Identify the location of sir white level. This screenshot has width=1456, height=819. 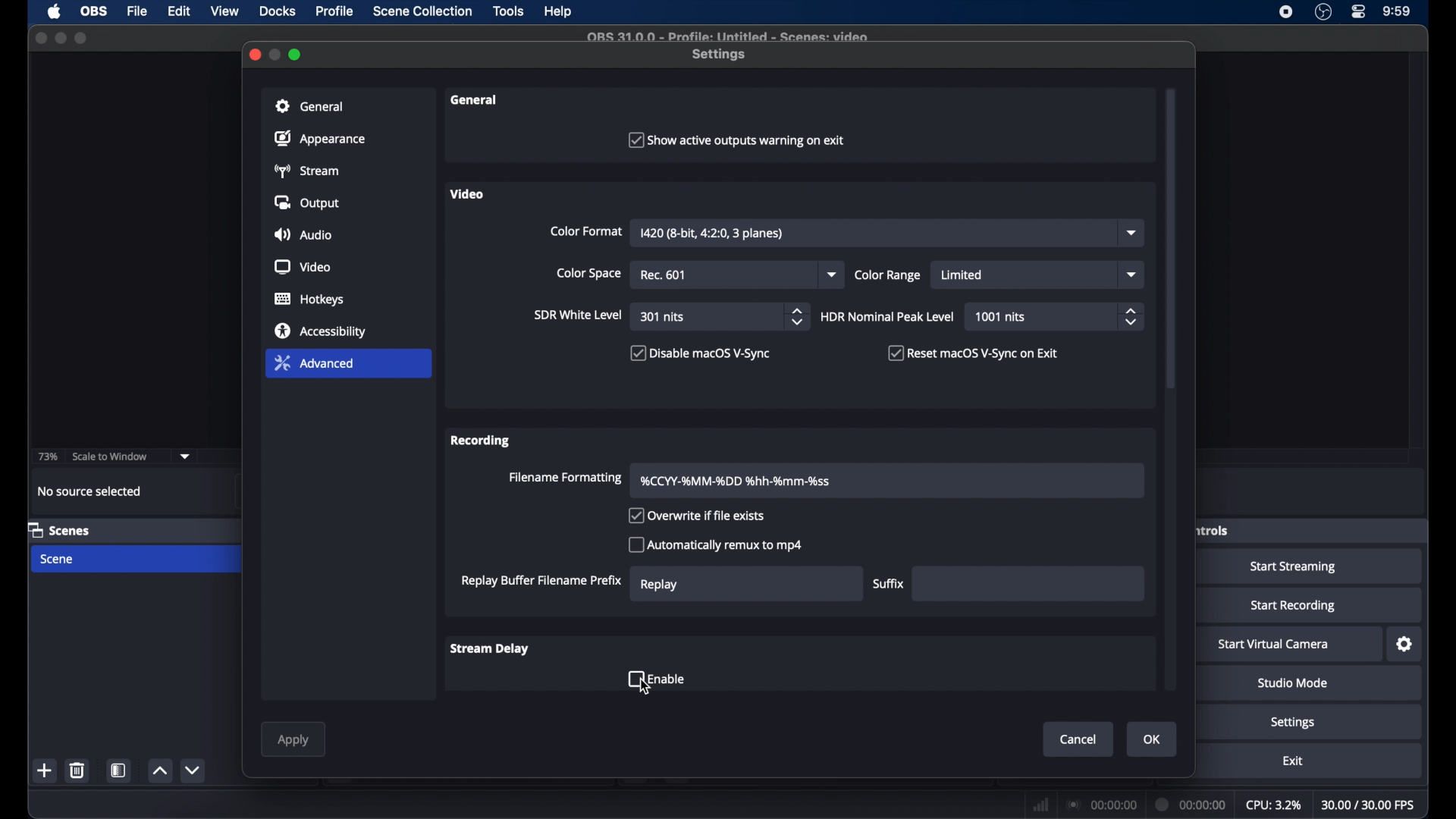
(579, 315).